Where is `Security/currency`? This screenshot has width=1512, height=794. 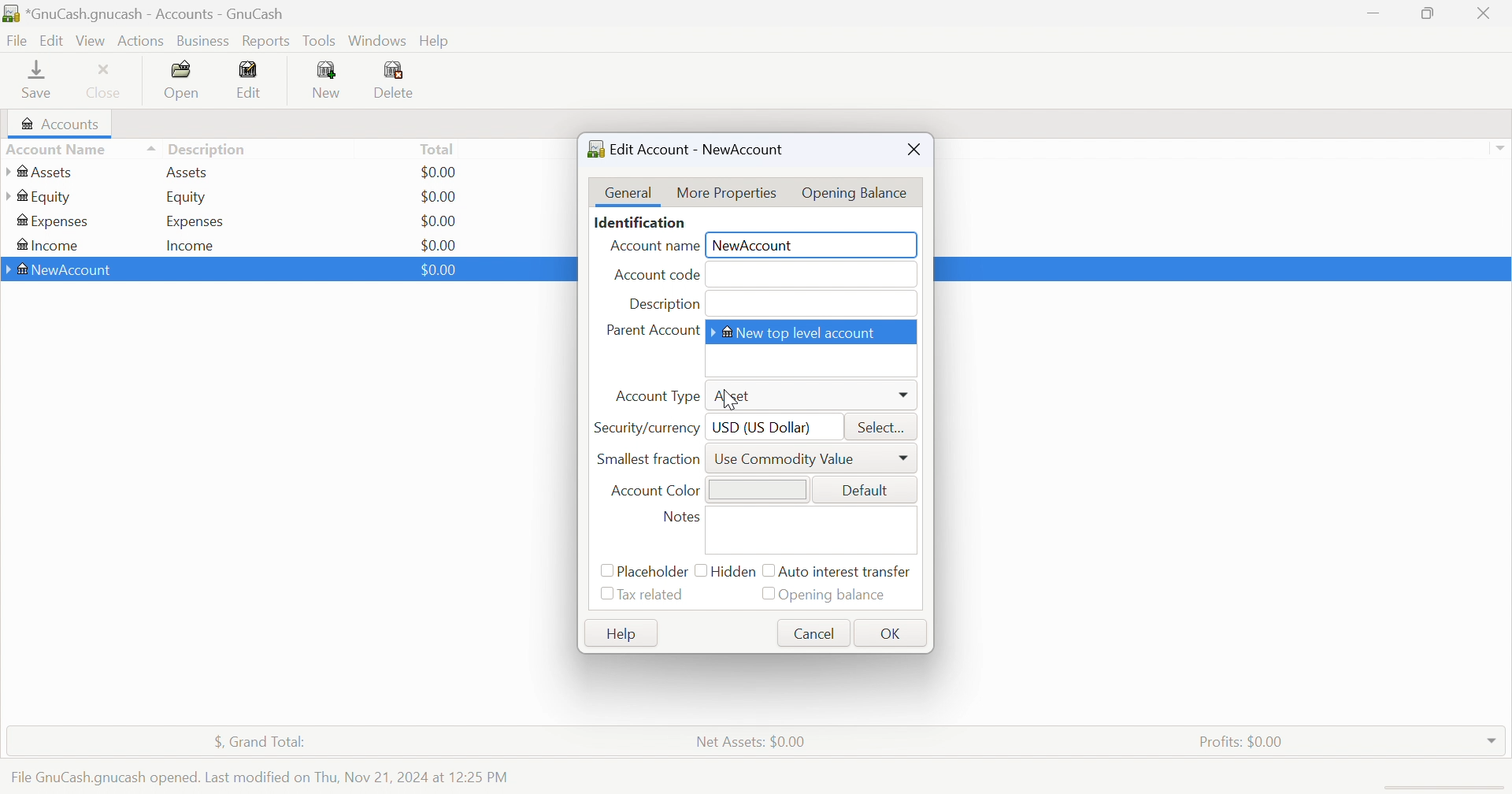
Security/currency is located at coordinates (647, 429).